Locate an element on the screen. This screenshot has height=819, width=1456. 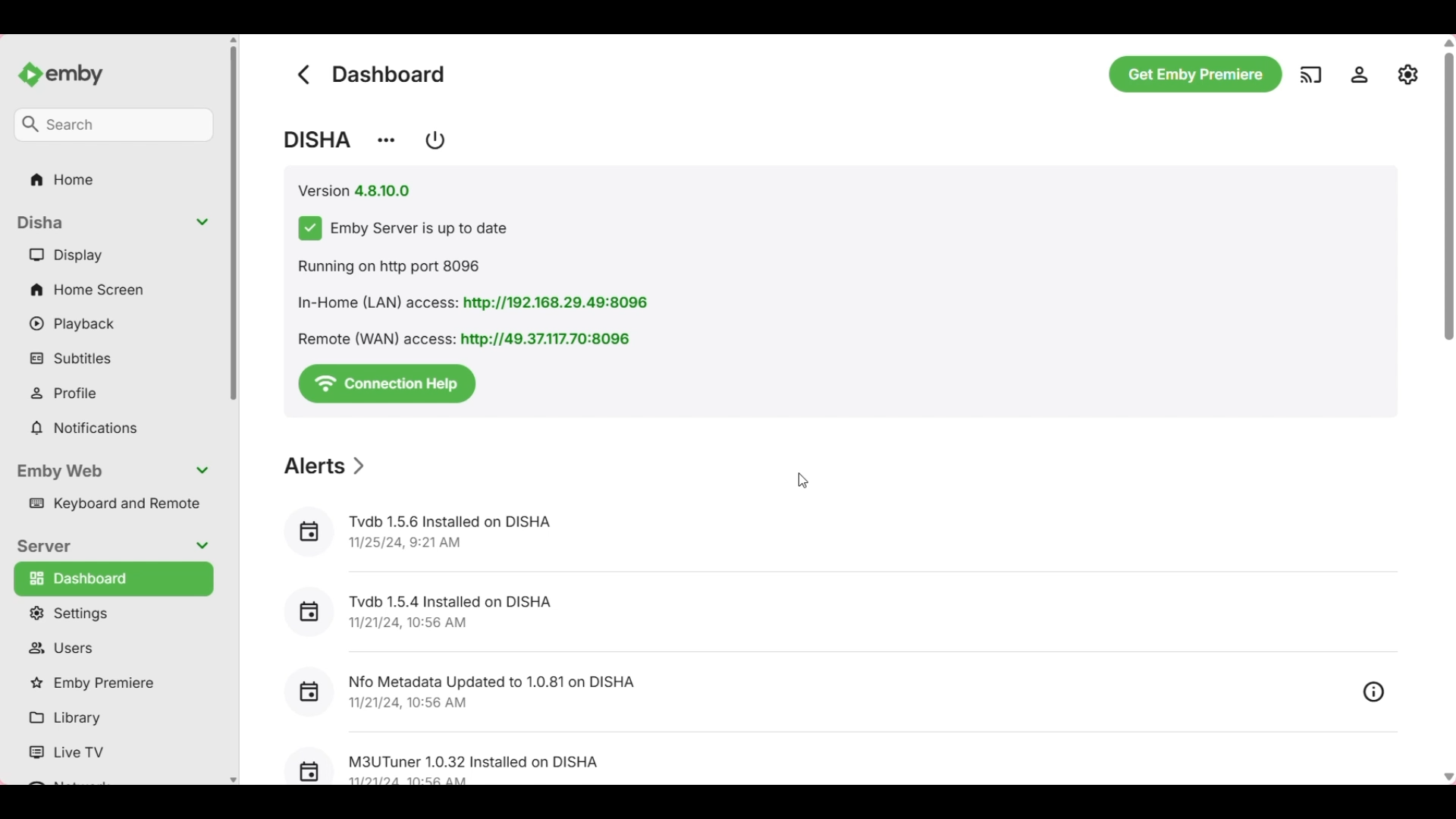
Get connection help is located at coordinates (388, 382).